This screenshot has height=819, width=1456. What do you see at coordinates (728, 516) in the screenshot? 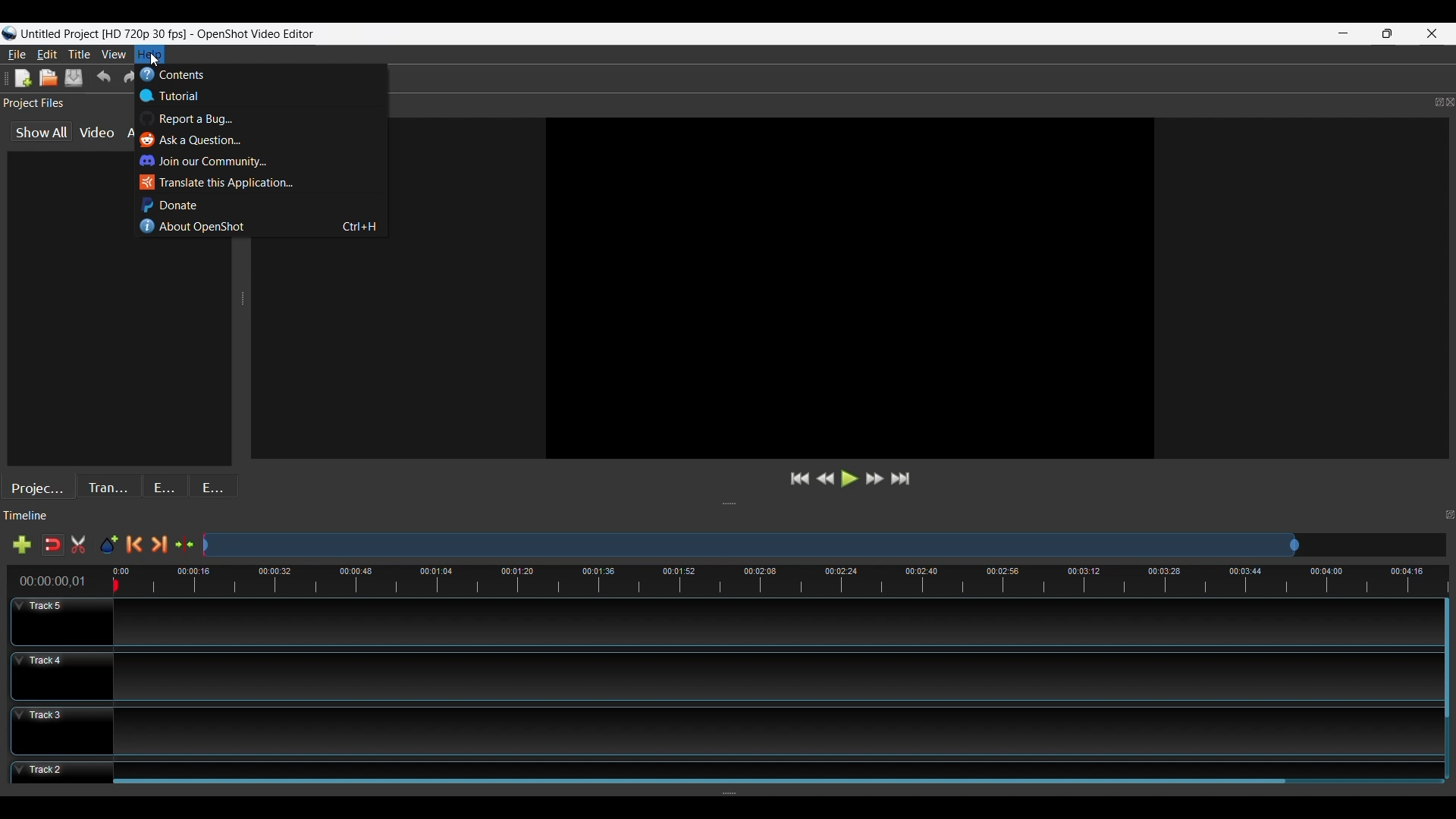
I see `Timeline Panel` at bounding box center [728, 516].